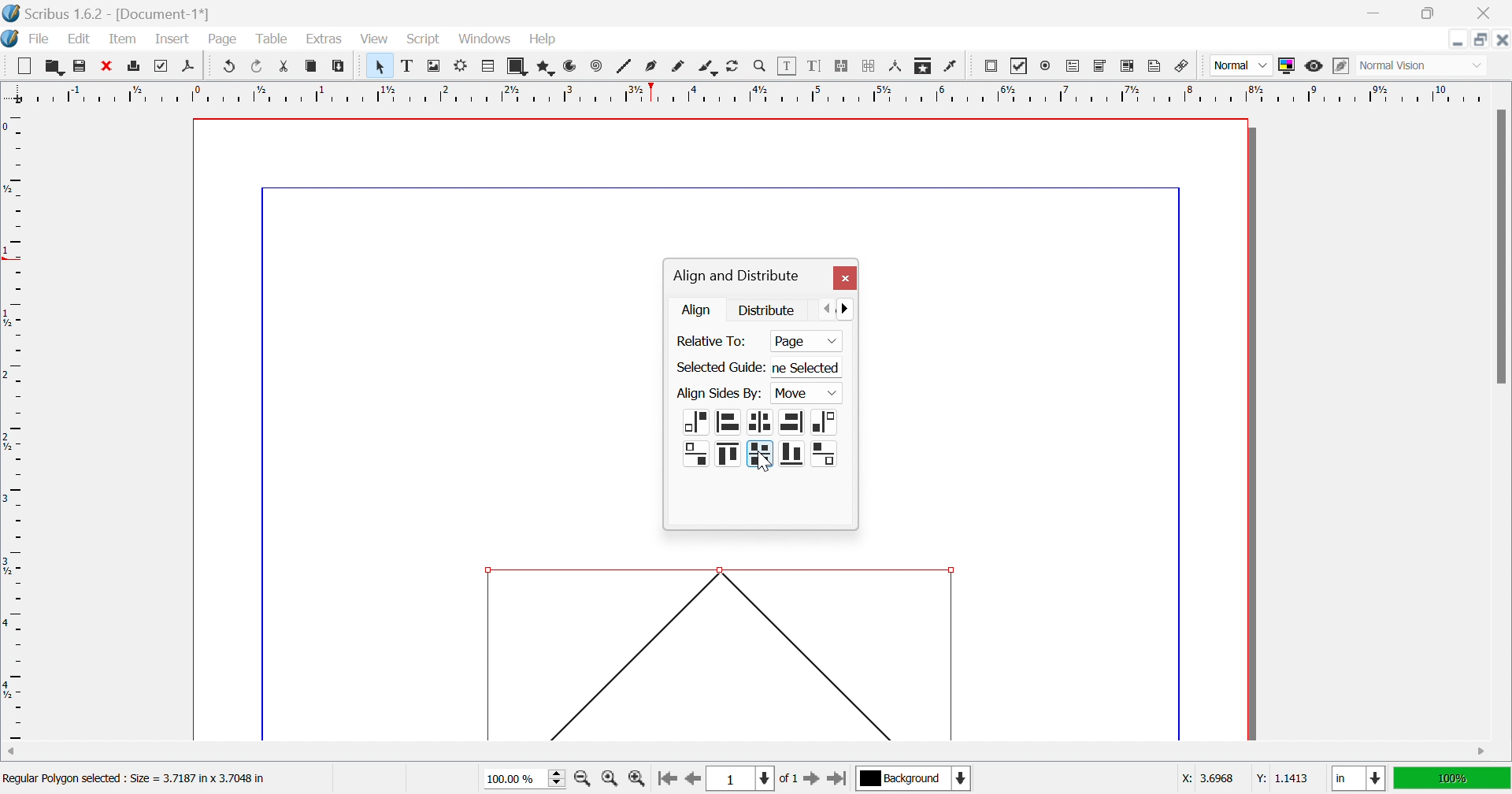 The height and width of the screenshot is (794, 1512). Describe the element at coordinates (435, 65) in the screenshot. I see `Image frame` at that location.